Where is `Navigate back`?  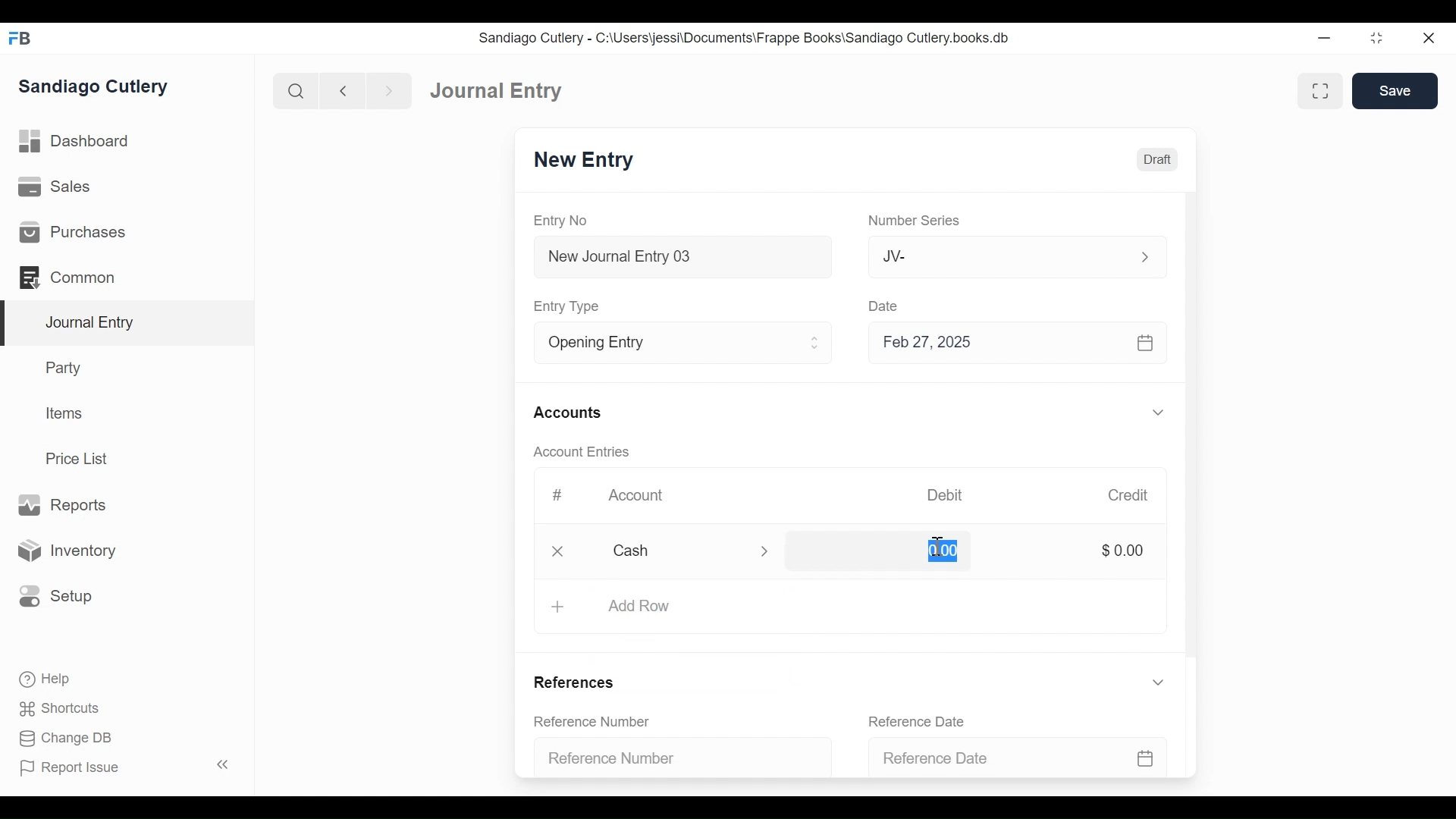
Navigate back is located at coordinates (341, 91).